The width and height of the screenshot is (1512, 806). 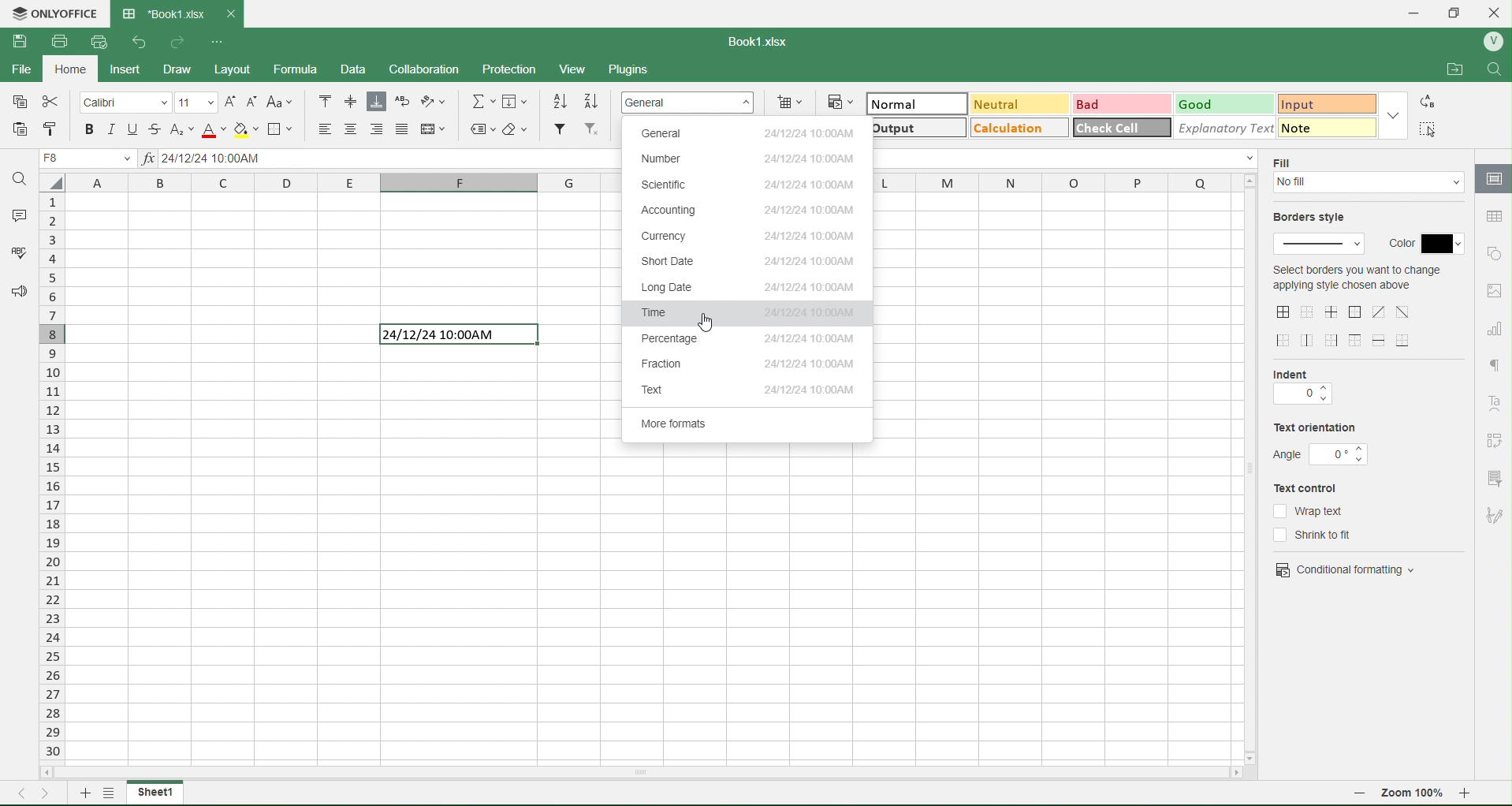 I want to click on filter, so click(x=1493, y=477).